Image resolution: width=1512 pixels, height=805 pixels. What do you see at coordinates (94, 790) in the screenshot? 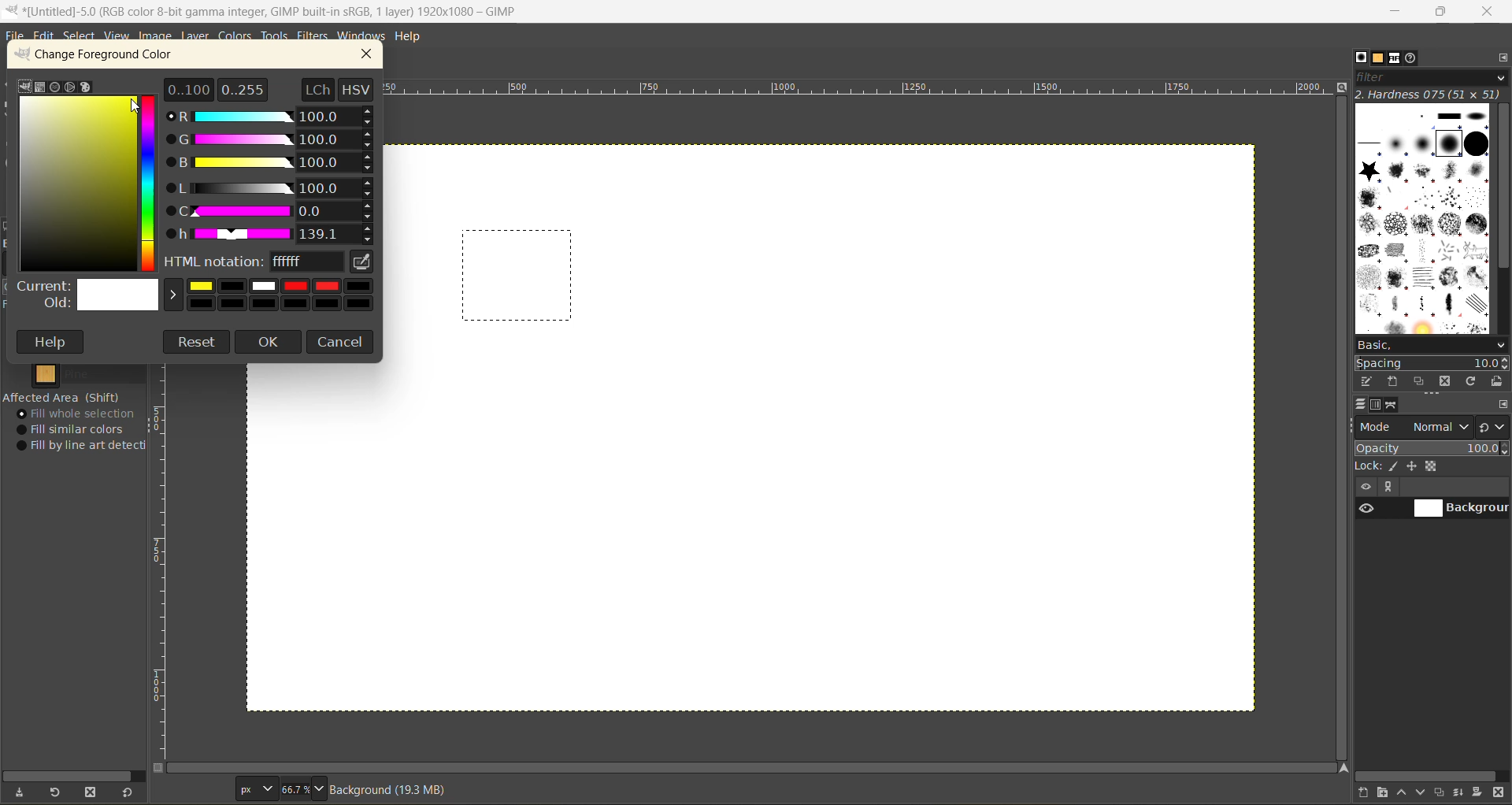
I see `delete tool preset` at bounding box center [94, 790].